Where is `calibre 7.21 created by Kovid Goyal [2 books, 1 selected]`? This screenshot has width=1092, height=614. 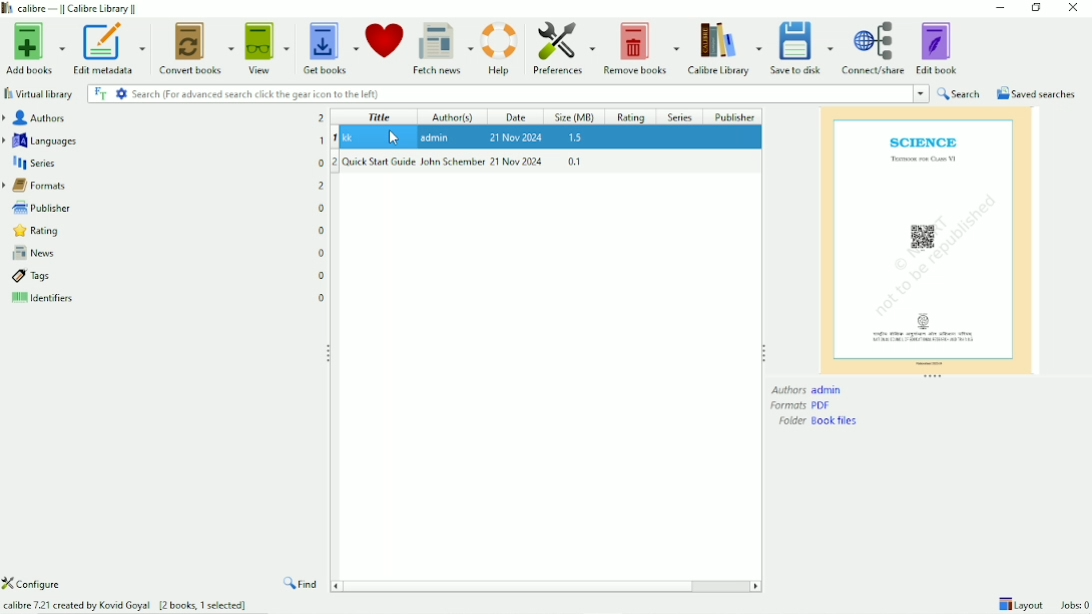 calibre 7.21 created by Kovid Goyal [2 books, 1 selected] is located at coordinates (126, 603).